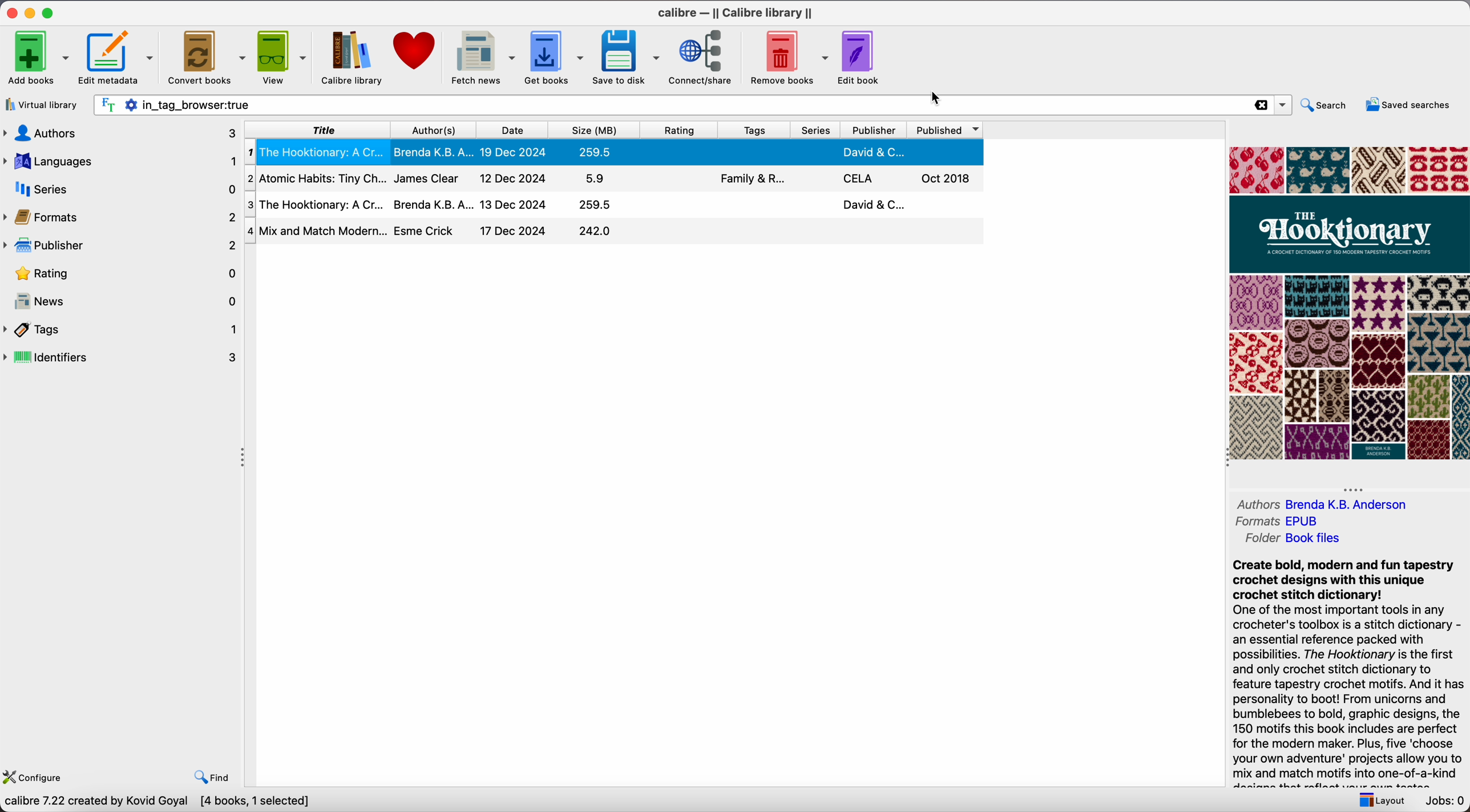 This screenshot has height=812, width=1470. Describe the element at coordinates (788, 55) in the screenshot. I see `remove books` at that location.